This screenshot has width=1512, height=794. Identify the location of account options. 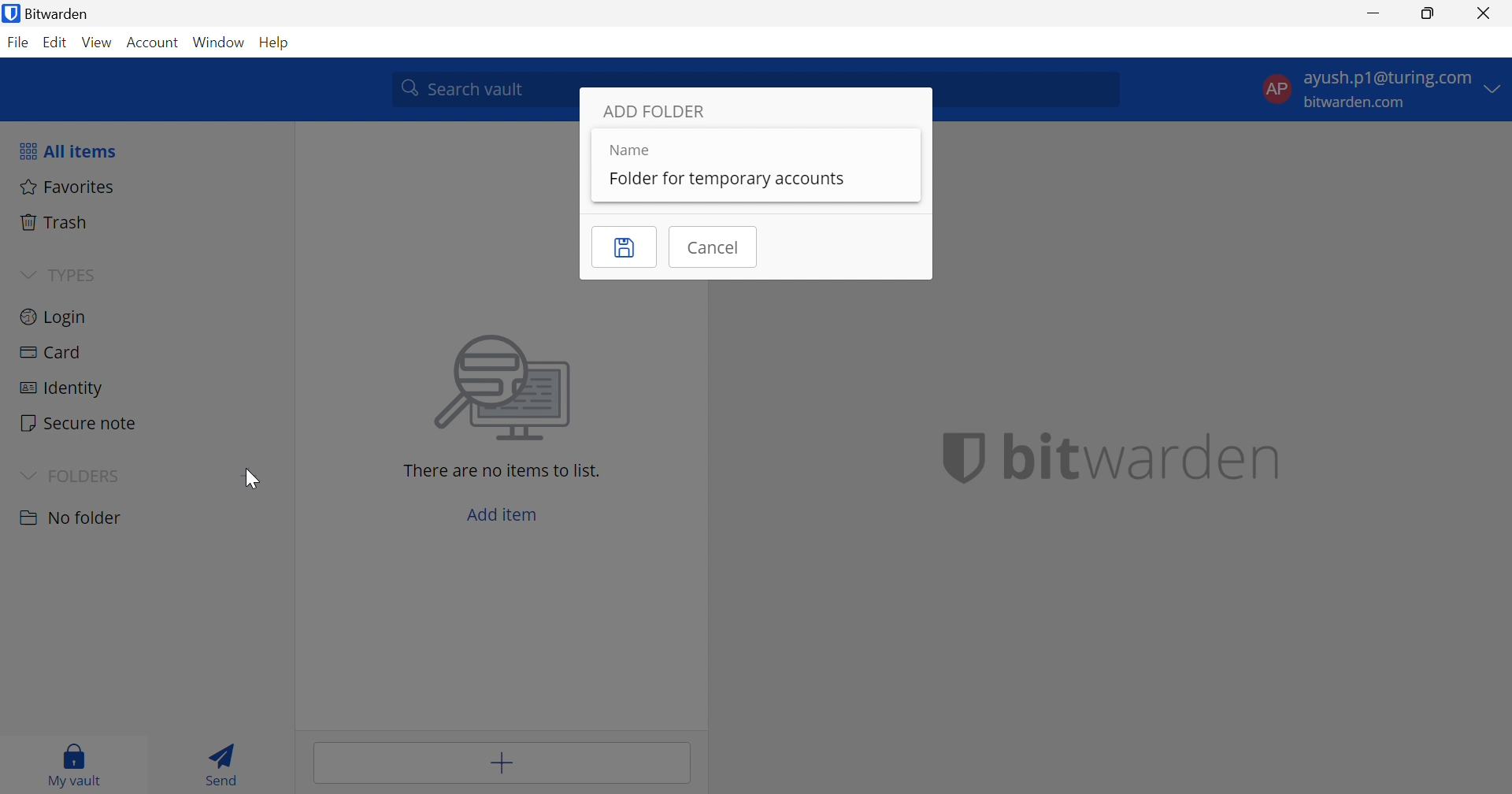
(1381, 91).